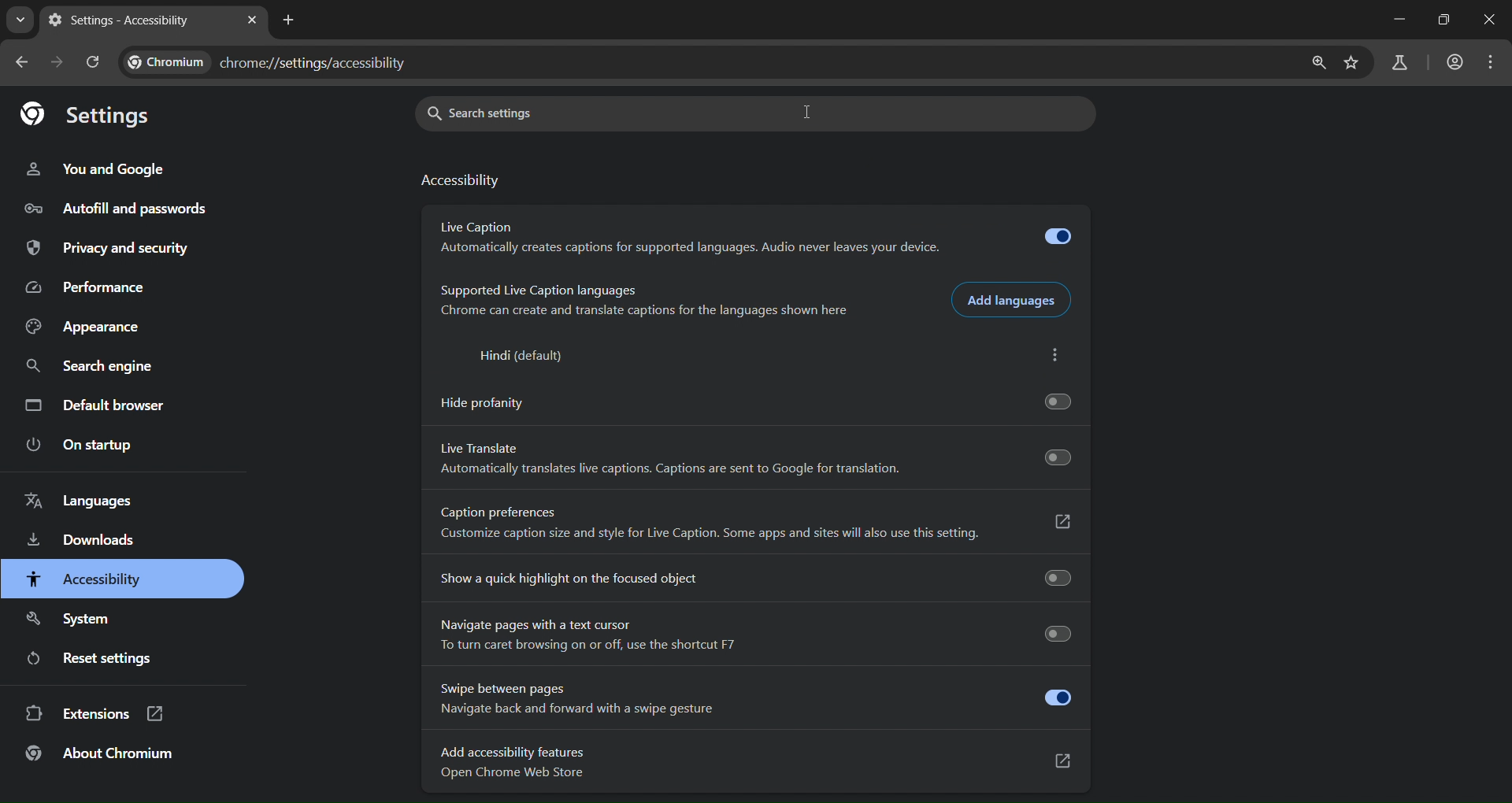 The height and width of the screenshot is (803, 1512). I want to click on restore down, so click(1444, 20).